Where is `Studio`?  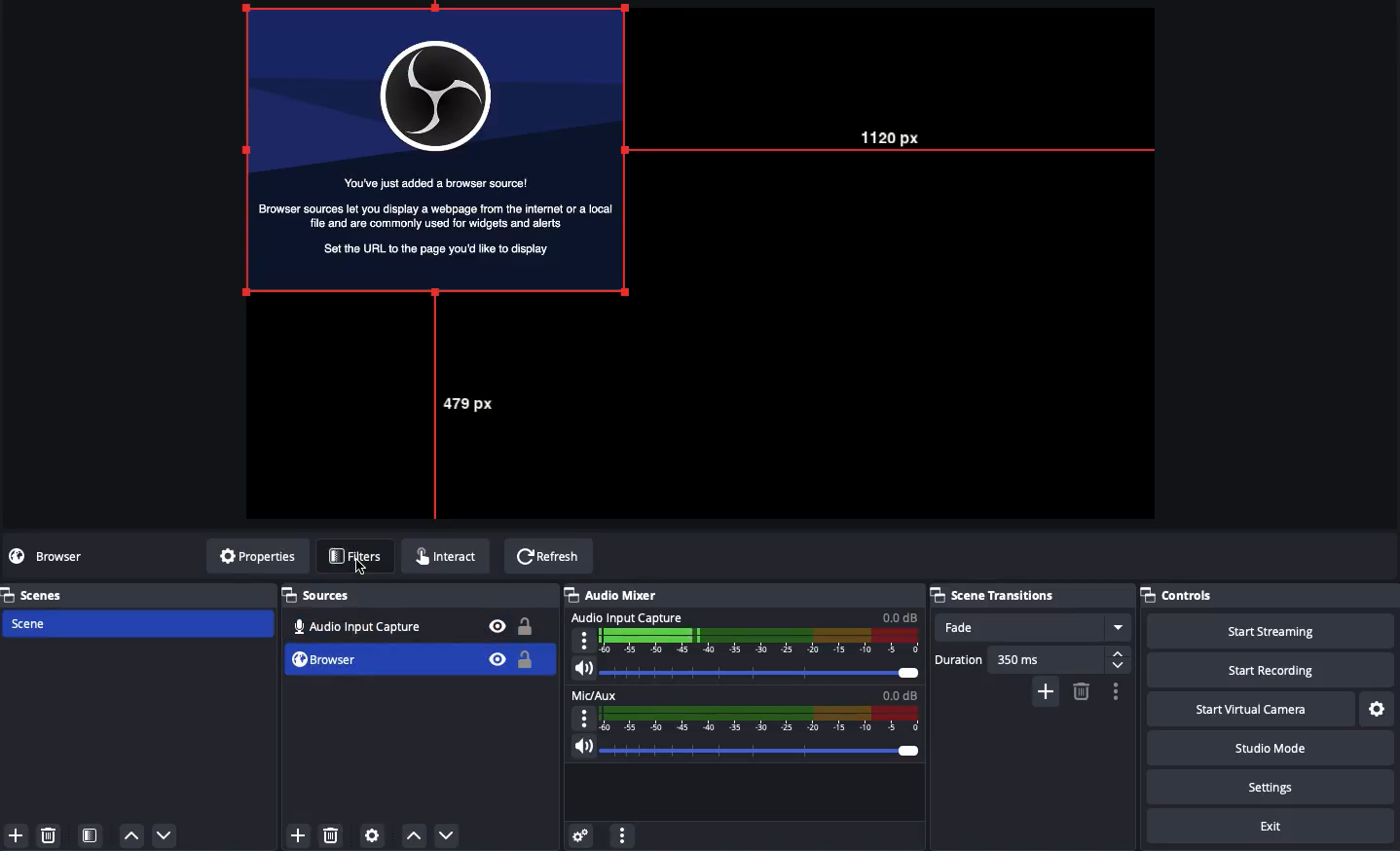
Studio is located at coordinates (1269, 748).